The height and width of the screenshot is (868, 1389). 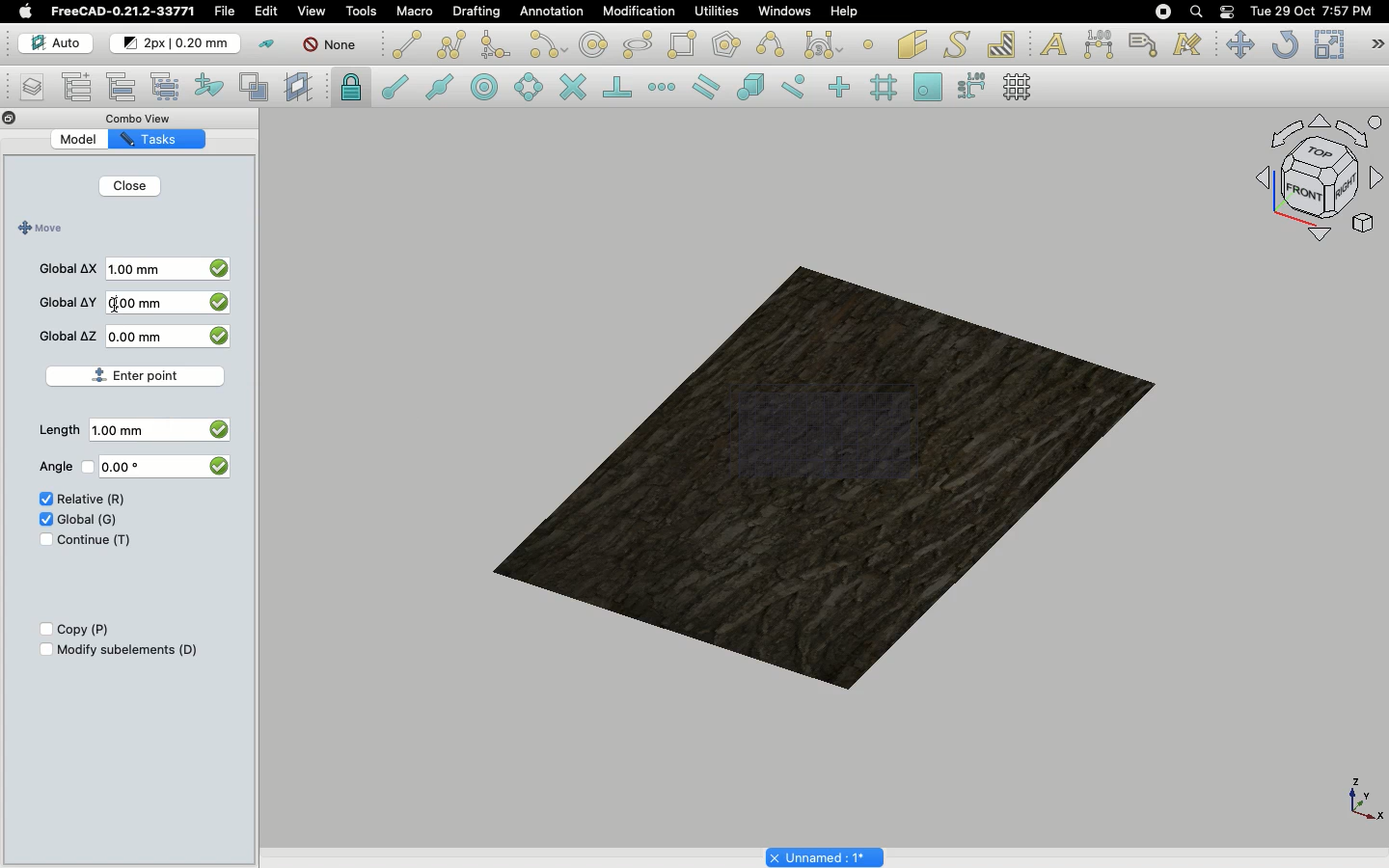 What do you see at coordinates (1318, 181) in the screenshot?
I see `Navigation styles` at bounding box center [1318, 181].